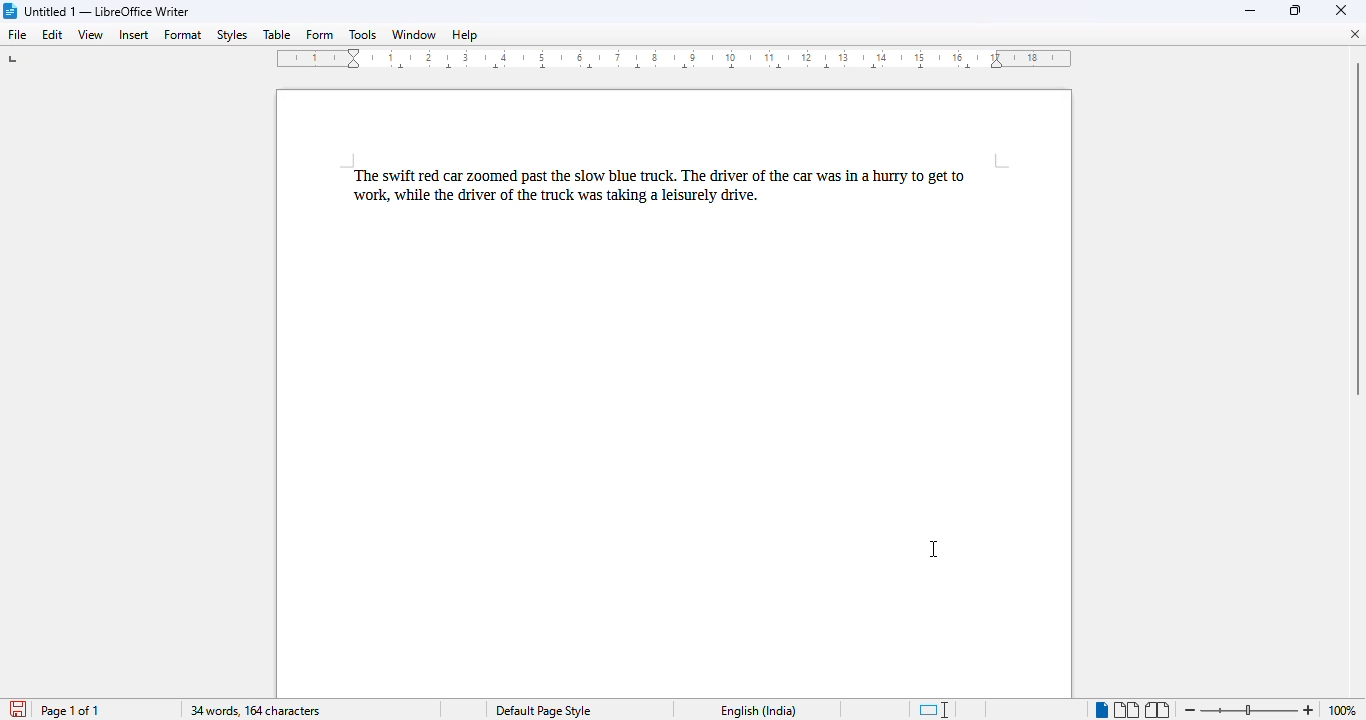  Describe the element at coordinates (276, 35) in the screenshot. I see `table` at that location.